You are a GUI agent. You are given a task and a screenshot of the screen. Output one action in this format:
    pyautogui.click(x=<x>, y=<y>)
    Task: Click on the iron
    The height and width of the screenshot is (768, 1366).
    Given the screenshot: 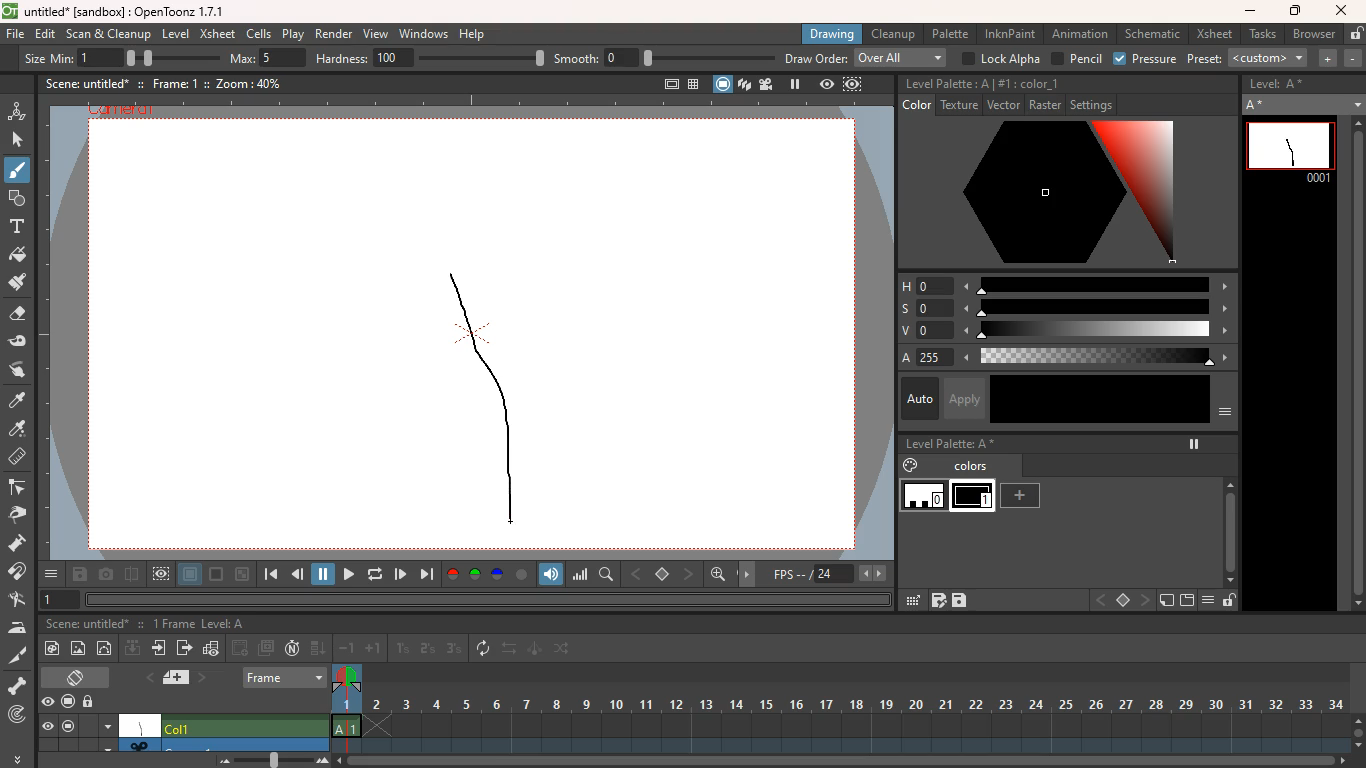 What is the action you would take?
    pyautogui.click(x=21, y=628)
    